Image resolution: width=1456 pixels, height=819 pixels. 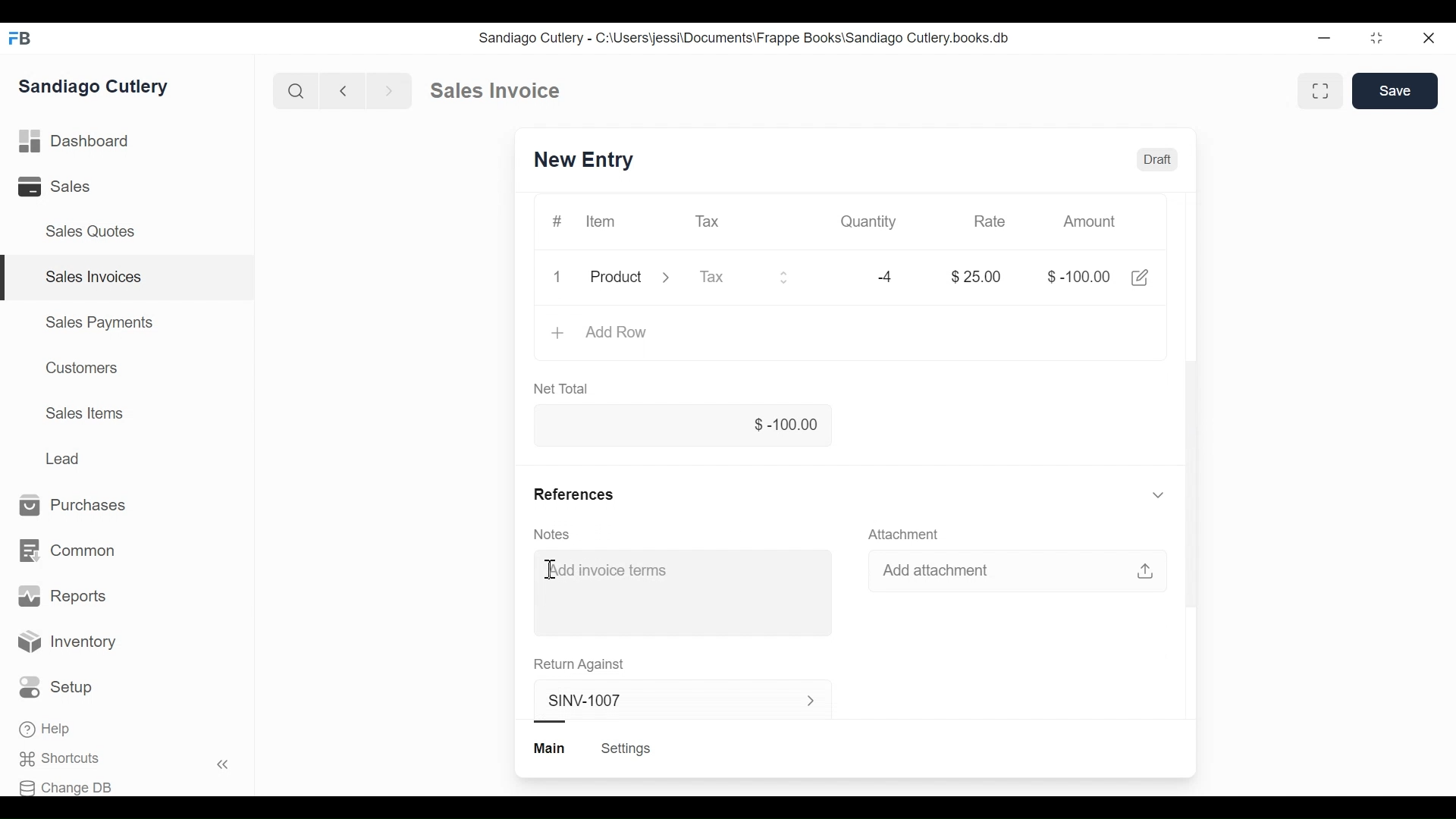 I want to click on Main, so click(x=551, y=748).